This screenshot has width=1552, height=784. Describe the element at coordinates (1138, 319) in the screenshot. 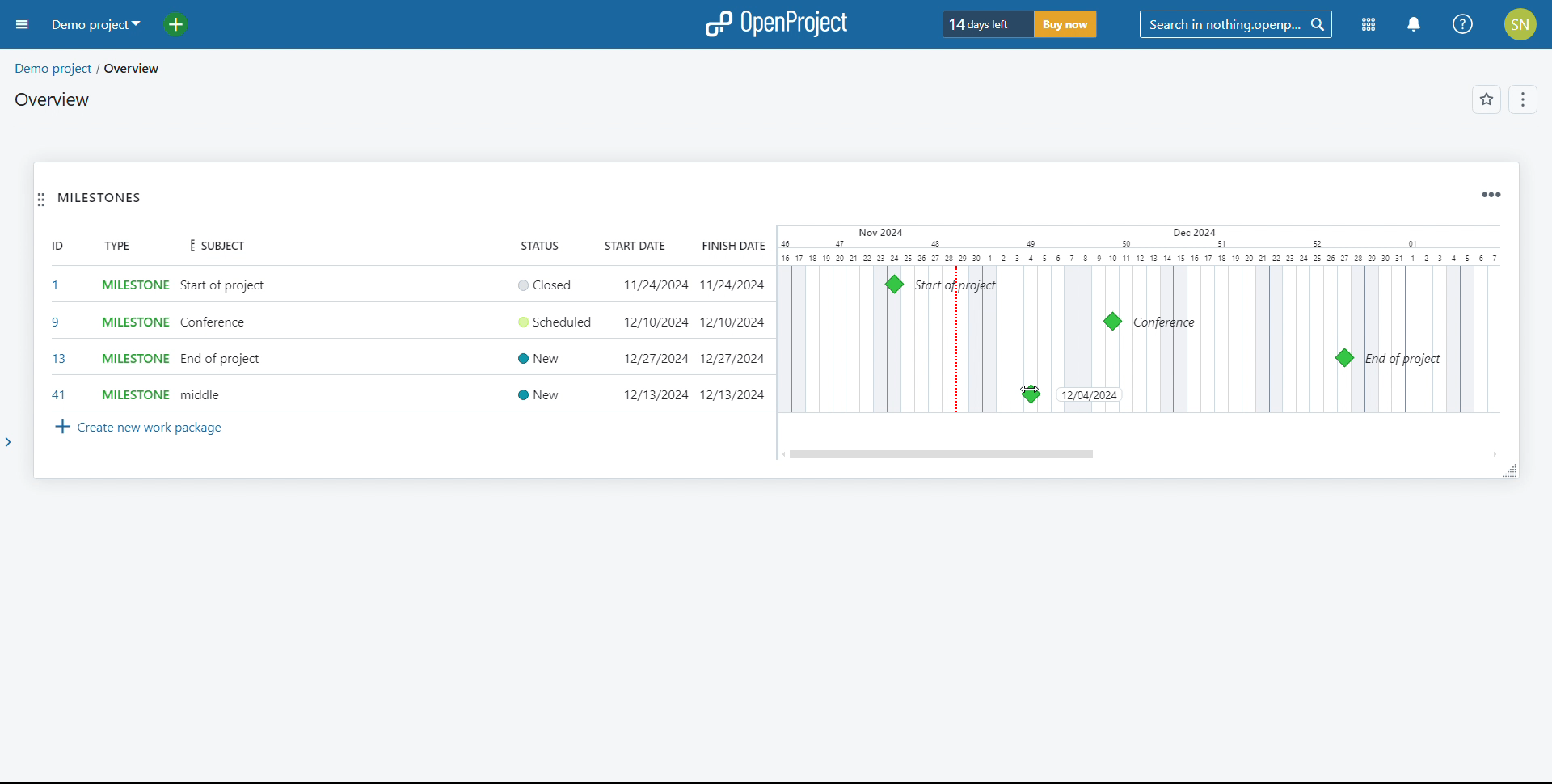

I see `calendar view` at that location.